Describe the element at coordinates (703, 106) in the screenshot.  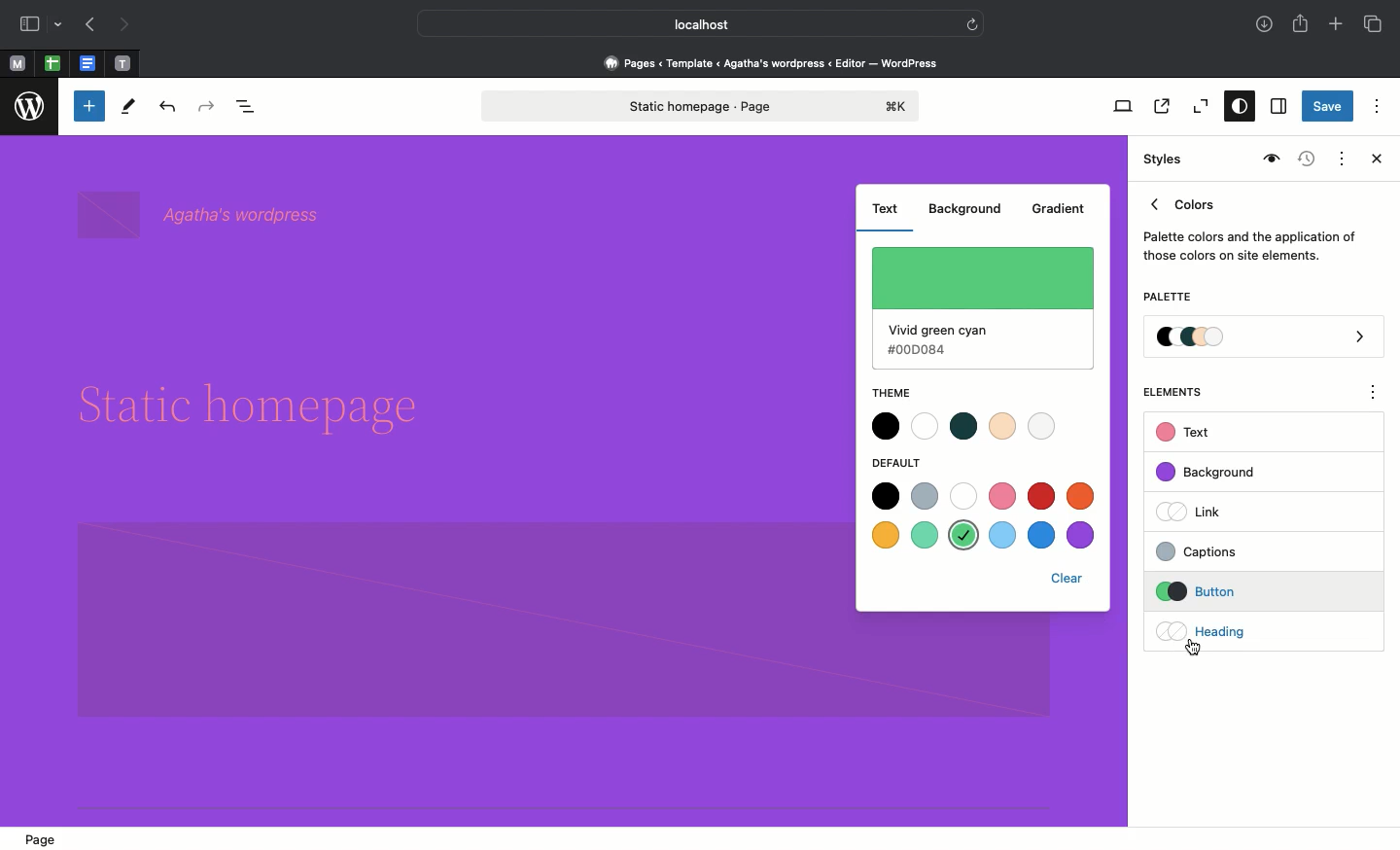
I see `Static homepage` at that location.